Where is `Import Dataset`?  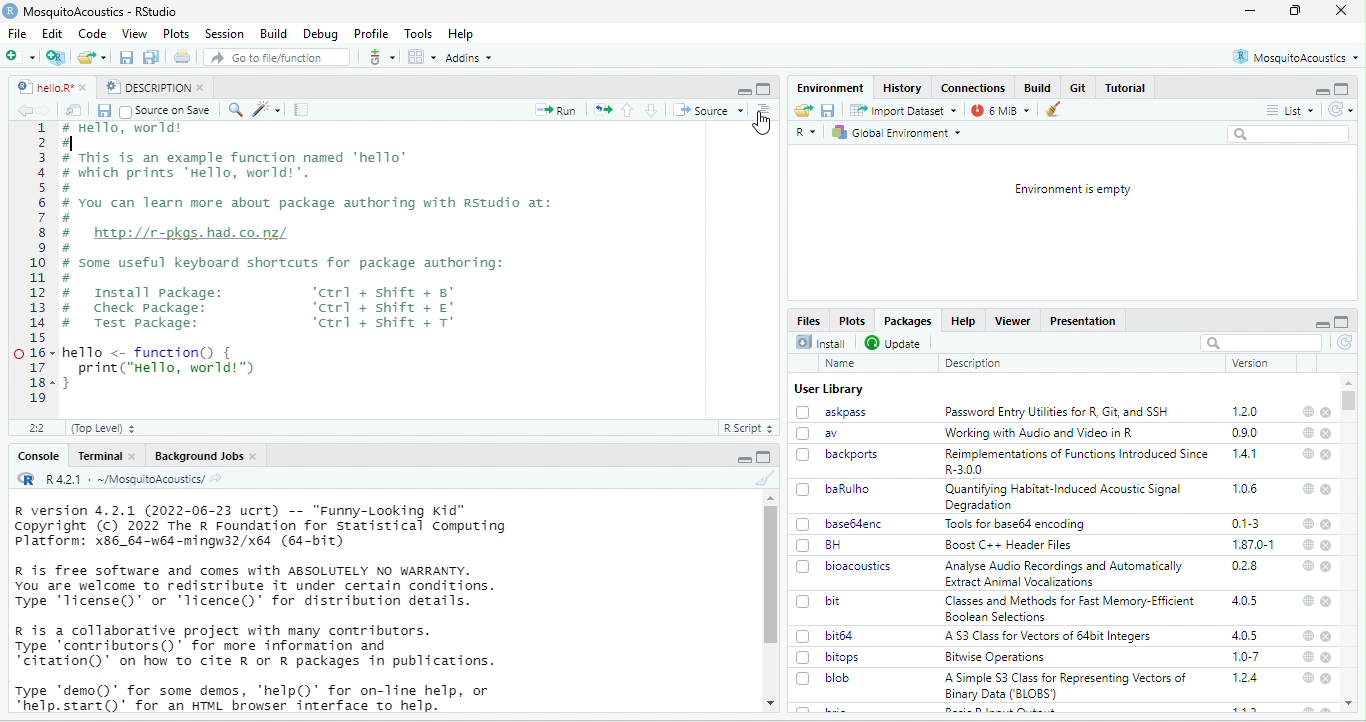
Import Dataset is located at coordinates (903, 110).